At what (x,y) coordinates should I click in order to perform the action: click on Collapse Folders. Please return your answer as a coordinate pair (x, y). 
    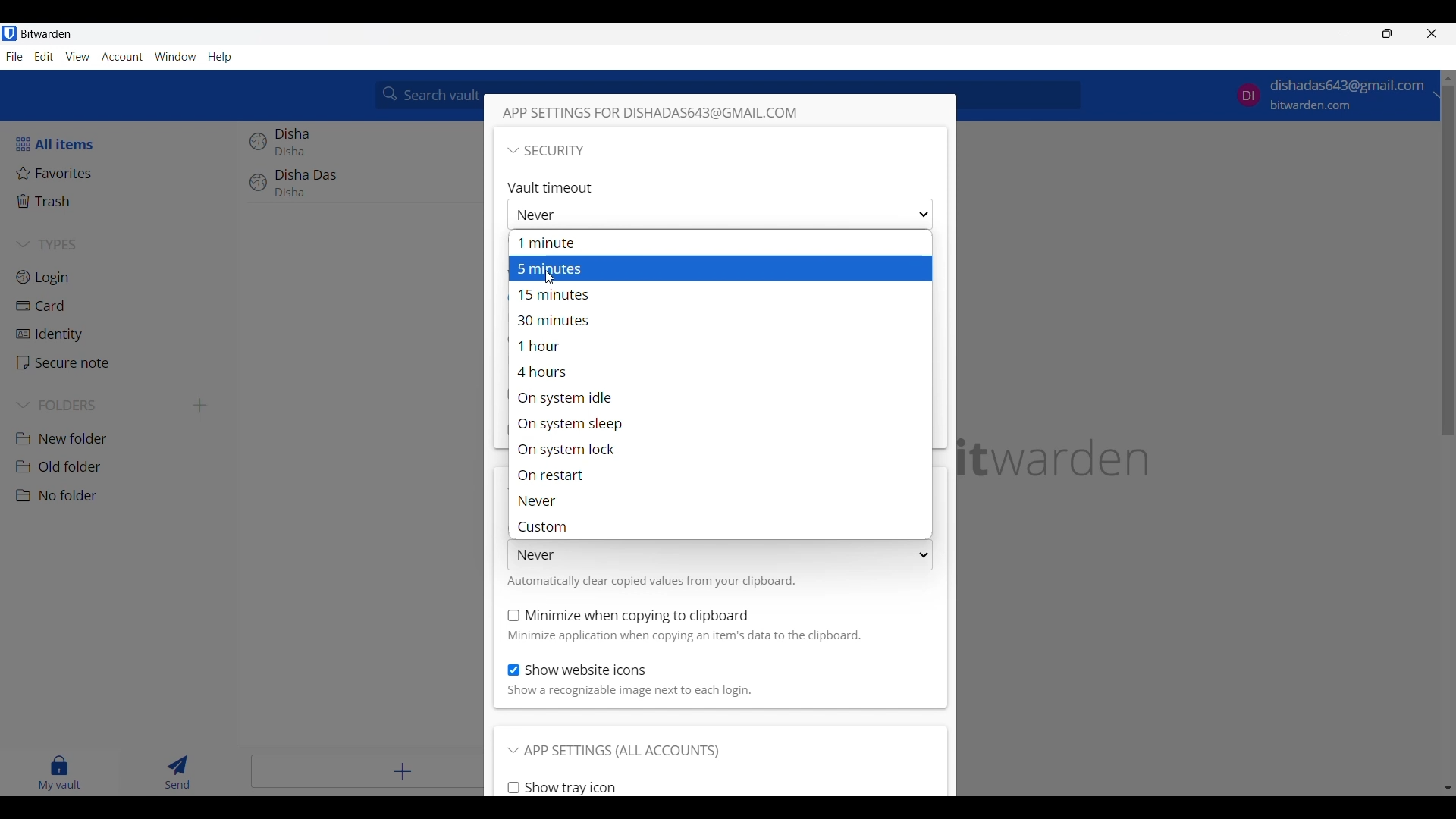
    Looking at the image, I should click on (100, 406).